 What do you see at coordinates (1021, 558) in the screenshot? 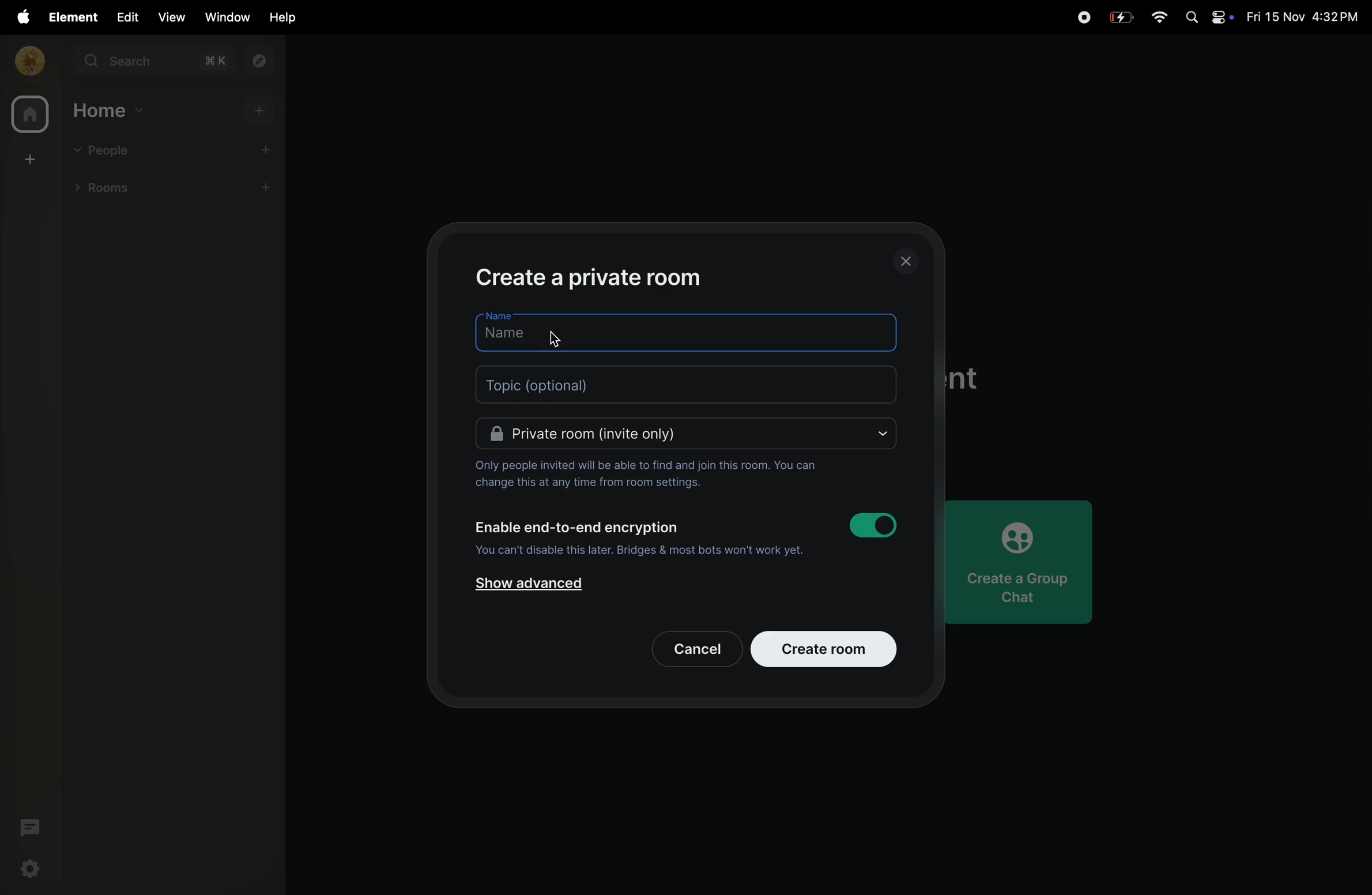
I see `create a group chat` at bounding box center [1021, 558].